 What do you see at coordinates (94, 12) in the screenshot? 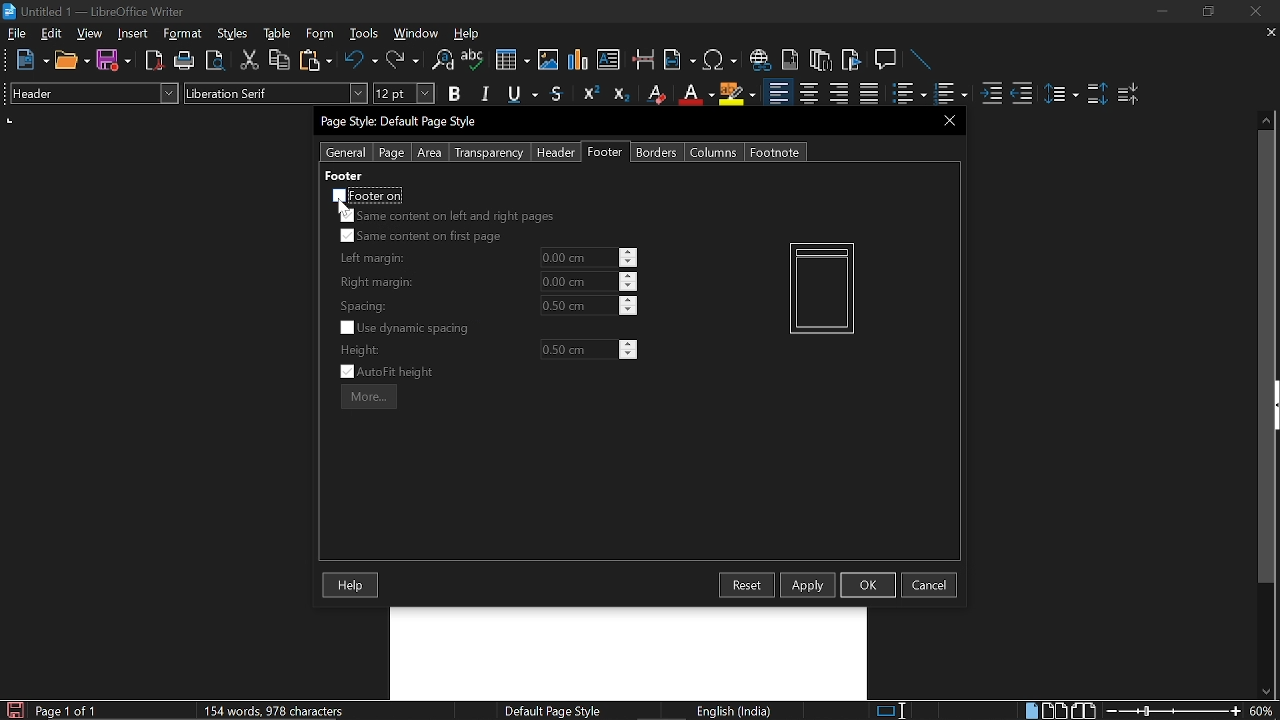
I see `Current window` at bounding box center [94, 12].